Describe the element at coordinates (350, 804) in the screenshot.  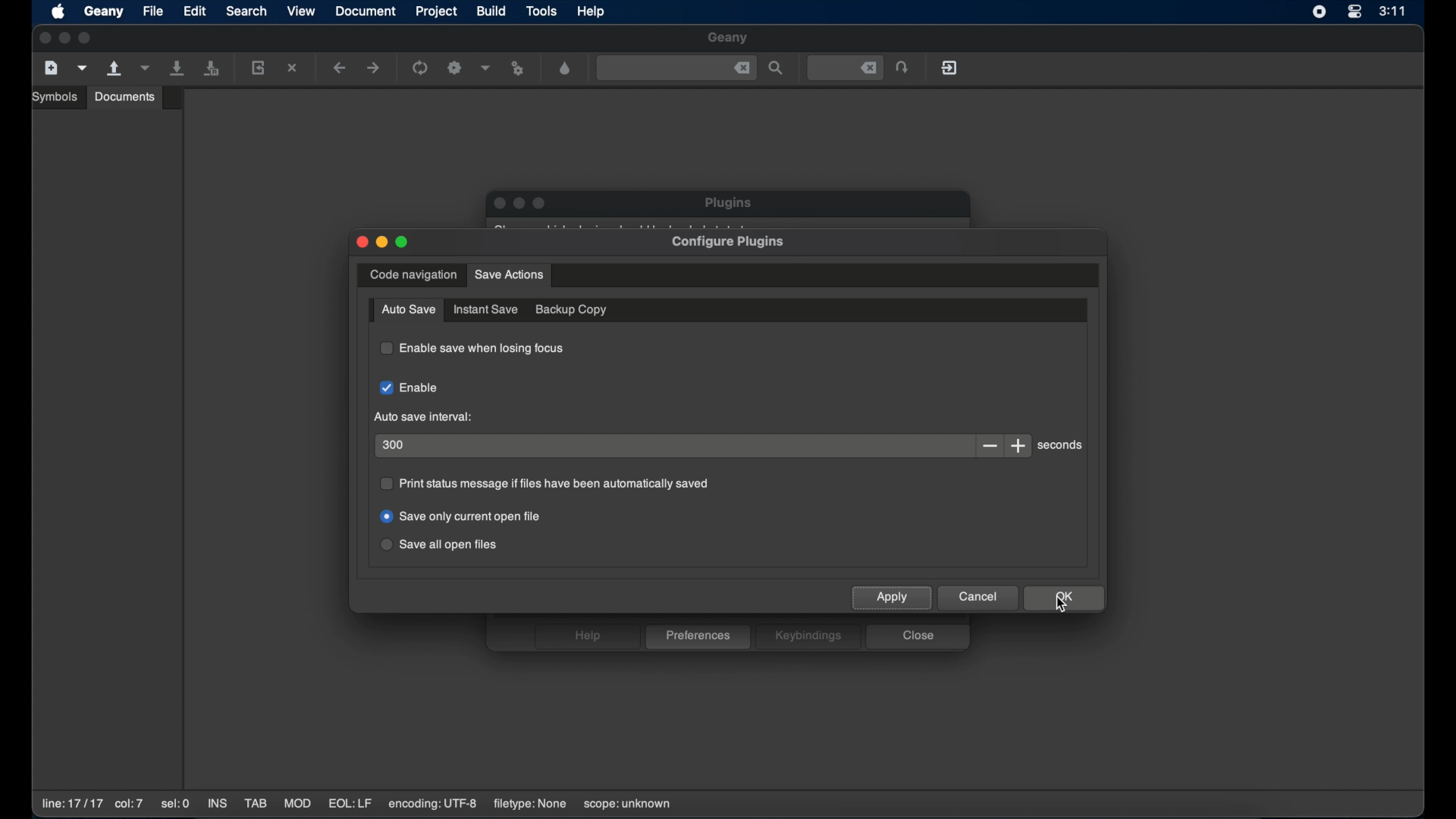
I see `EQL:LF` at that location.